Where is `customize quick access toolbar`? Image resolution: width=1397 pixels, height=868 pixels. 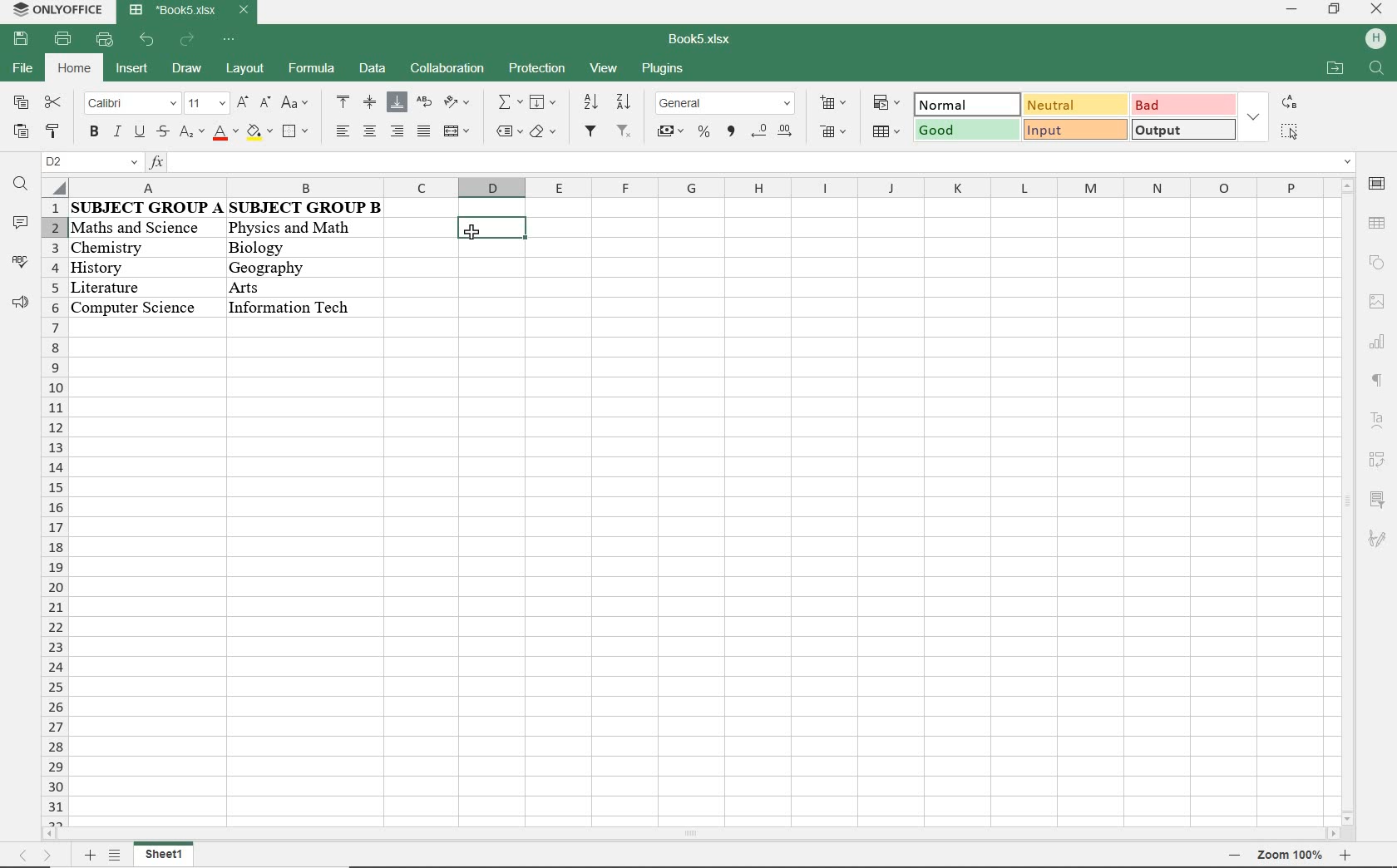 customize quick access toolbar is located at coordinates (104, 40).